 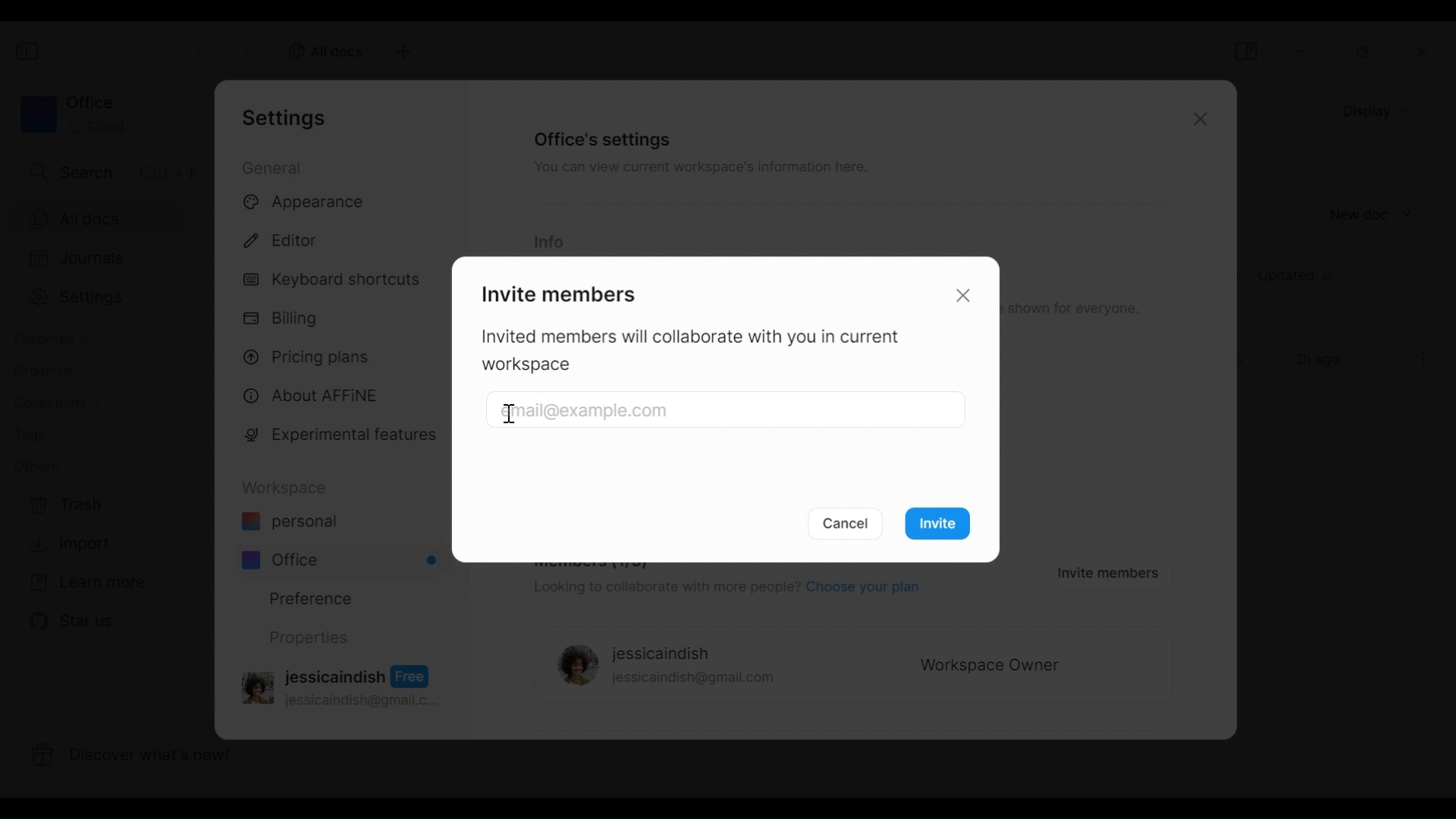 I want to click on collections, so click(x=57, y=403).